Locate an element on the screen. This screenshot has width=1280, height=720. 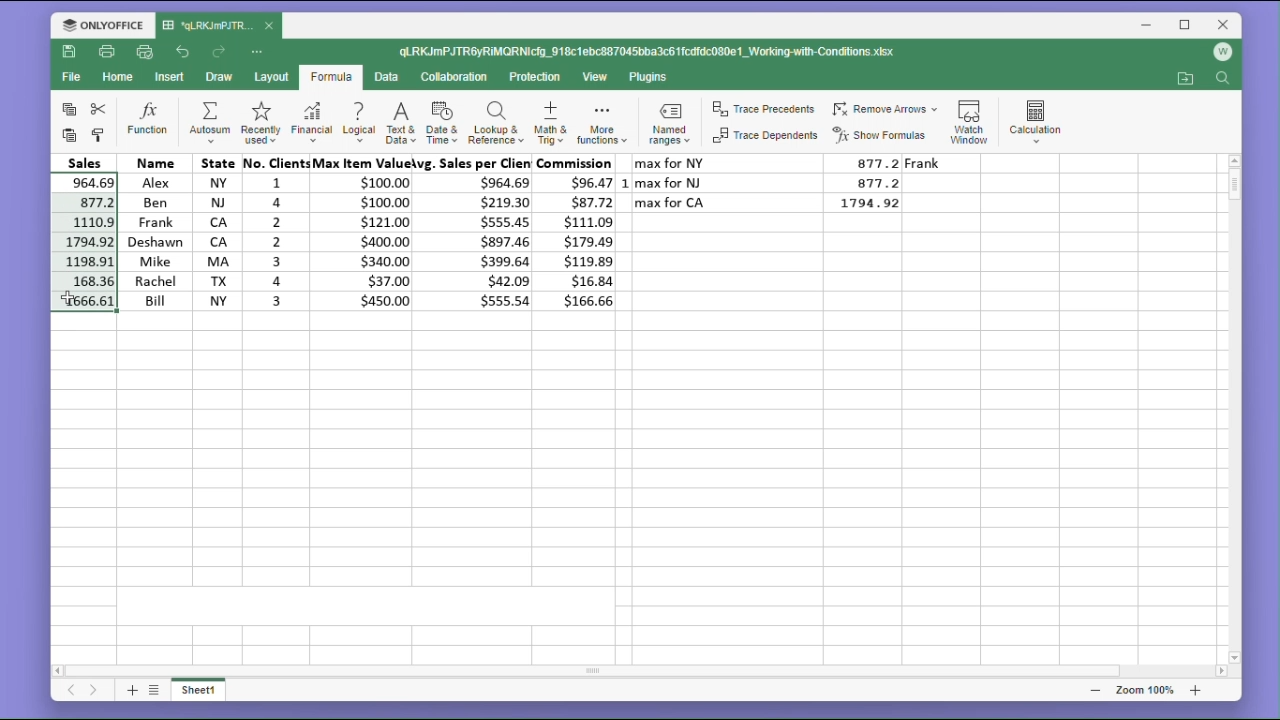
insert is located at coordinates (172, 77).